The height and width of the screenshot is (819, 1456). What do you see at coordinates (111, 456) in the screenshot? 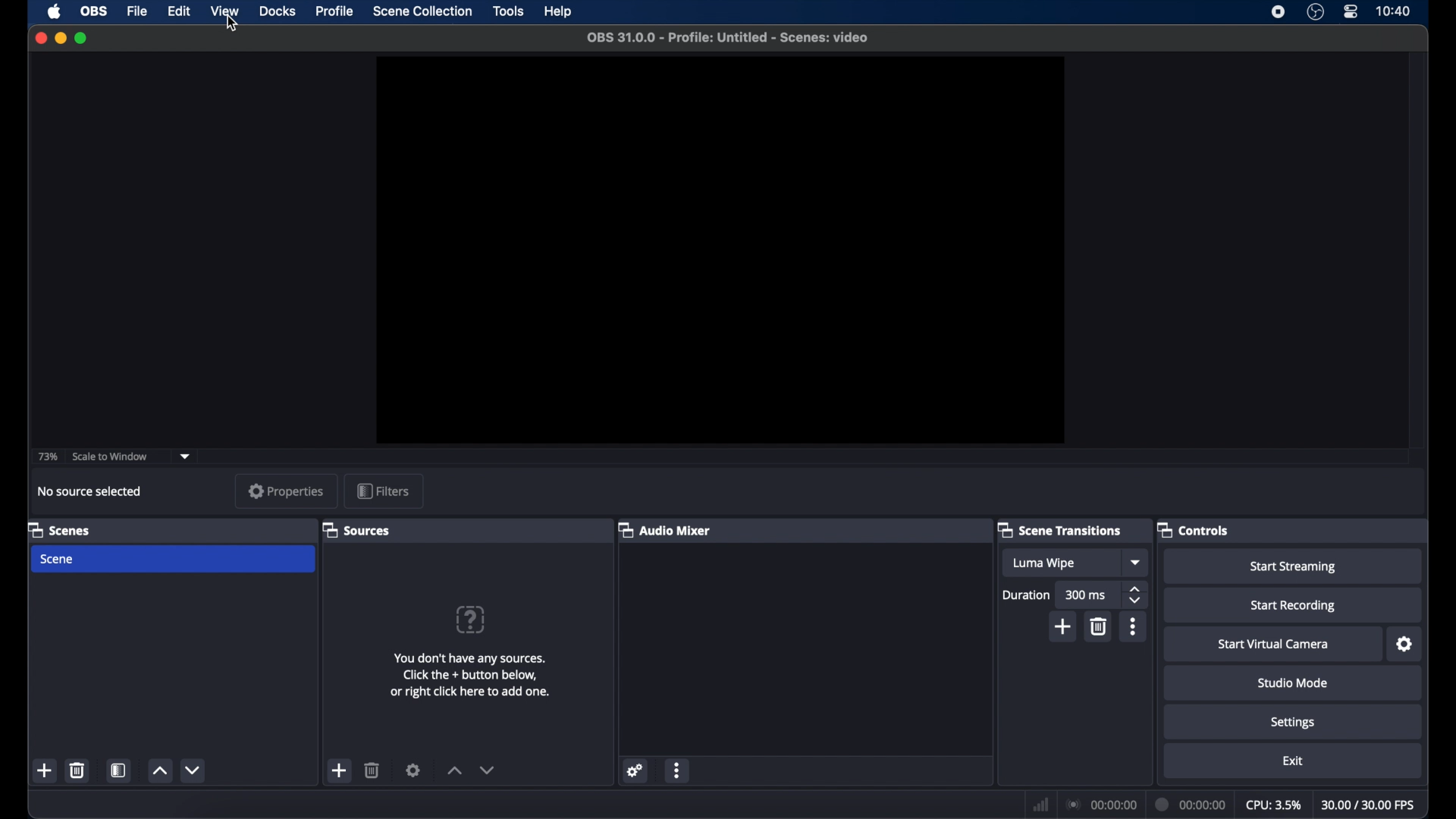
I see `scale to window` at bounding box center [111, 456].